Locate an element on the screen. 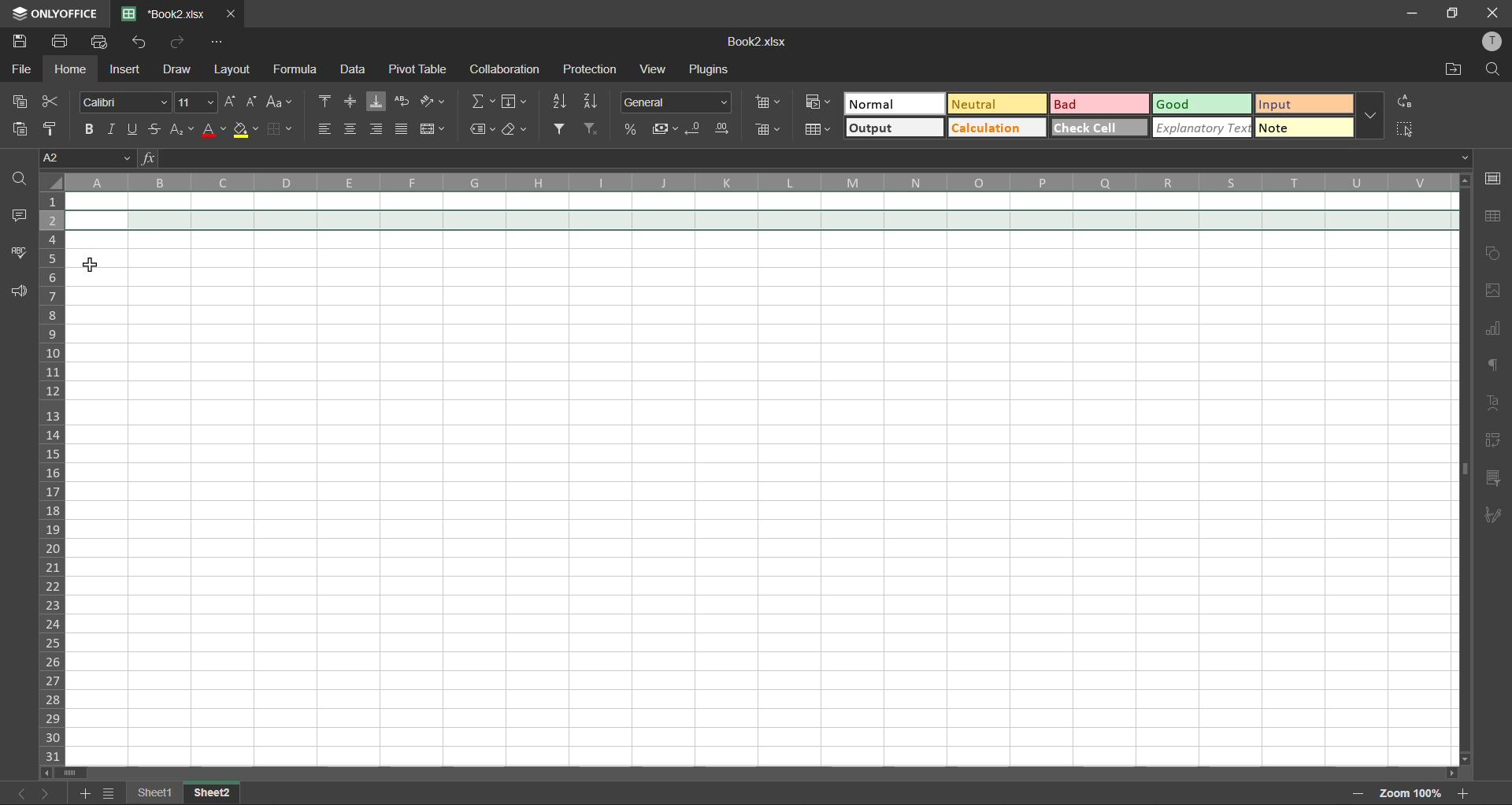 This screenshot has width=1512, height=805. align right is located at coordinates (377, 130).